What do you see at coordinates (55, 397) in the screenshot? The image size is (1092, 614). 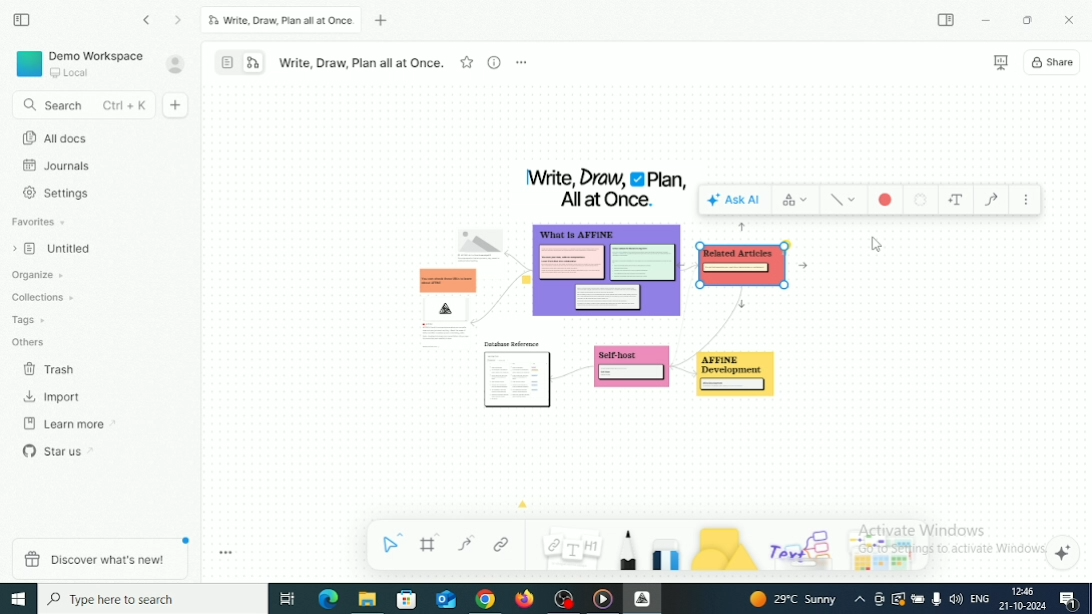 I see `Import` at bounding box center [55, 397].